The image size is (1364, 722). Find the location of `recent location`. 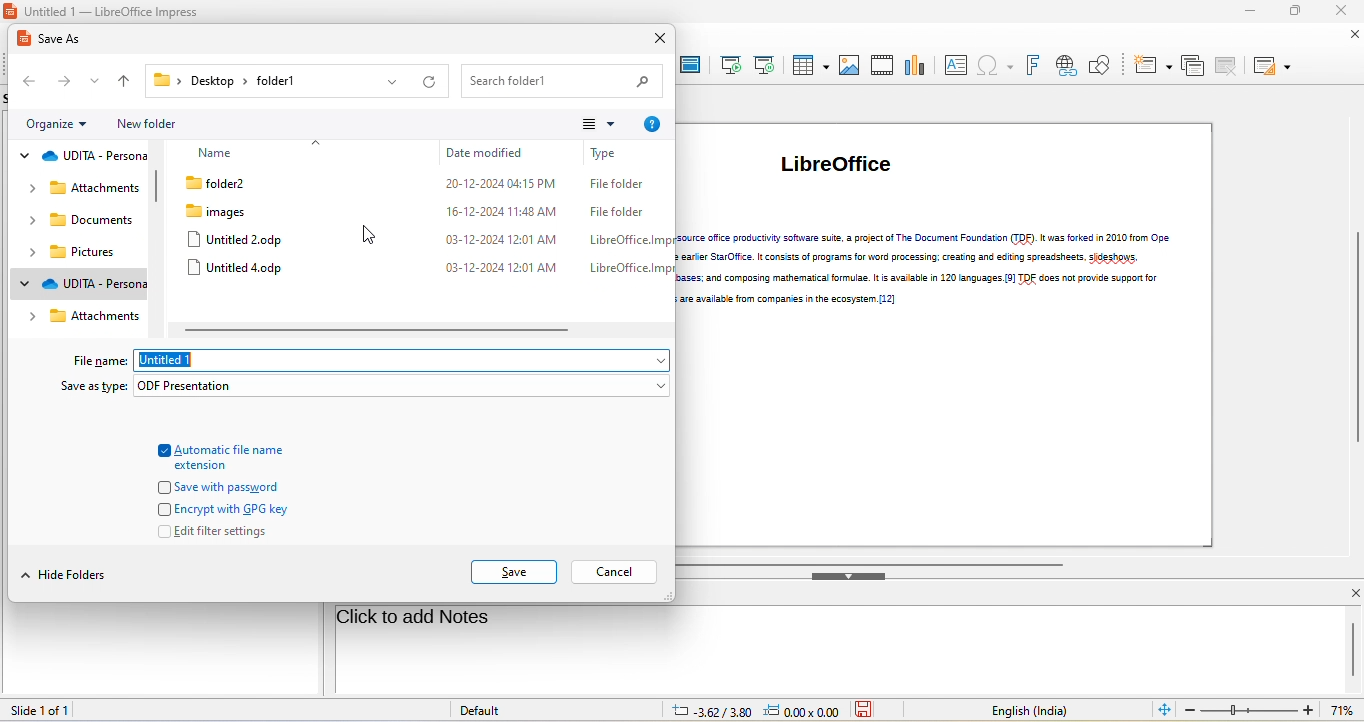

recent location is located at coordinates (96, 81).